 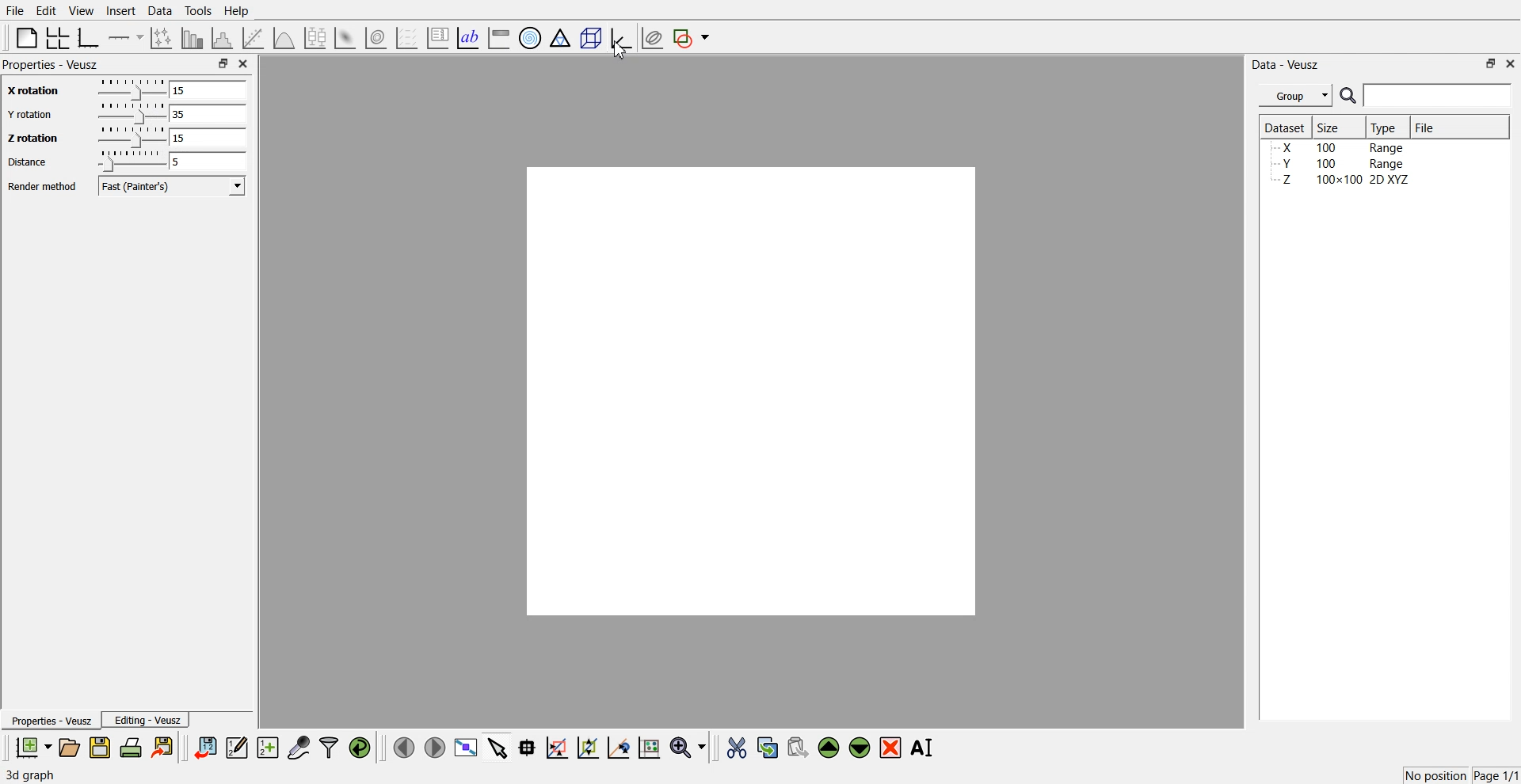 I want to click on Ternary Graph, so click(x=560, y=37).